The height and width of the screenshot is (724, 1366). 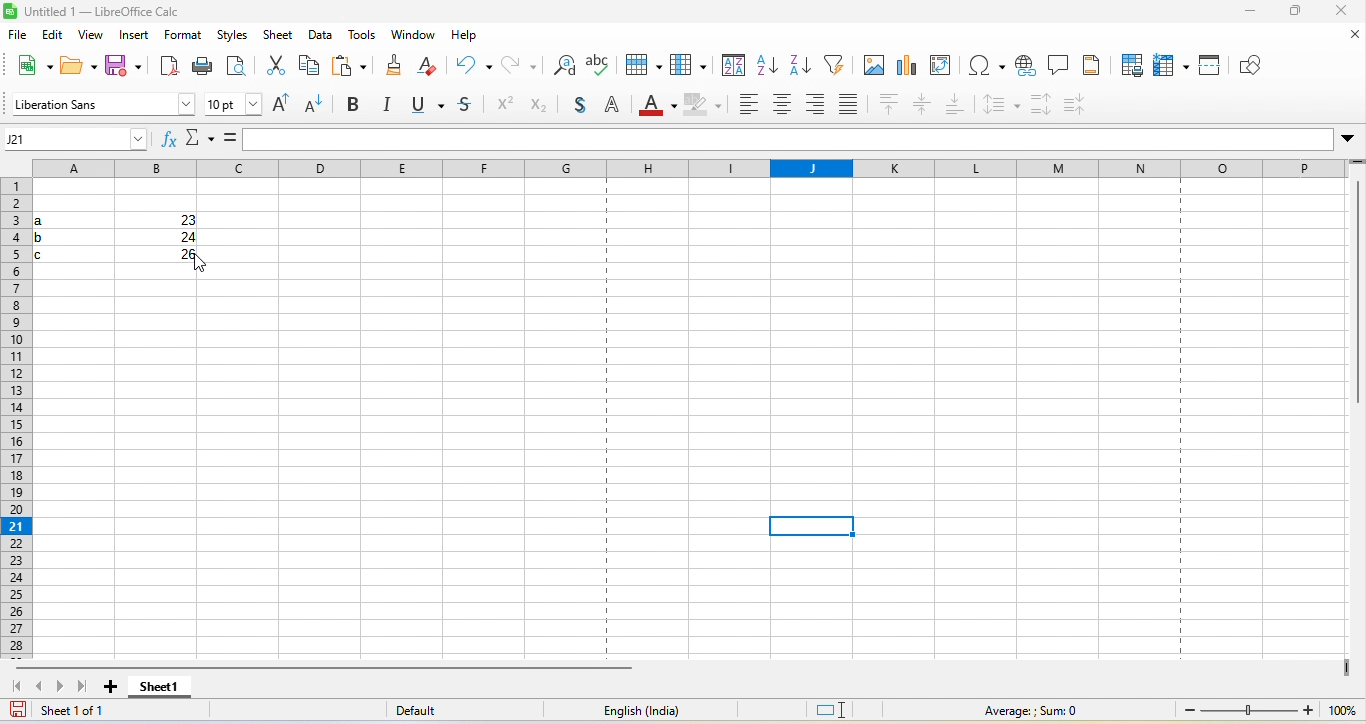 I want to click on print preview, so click(x=236, y=68).